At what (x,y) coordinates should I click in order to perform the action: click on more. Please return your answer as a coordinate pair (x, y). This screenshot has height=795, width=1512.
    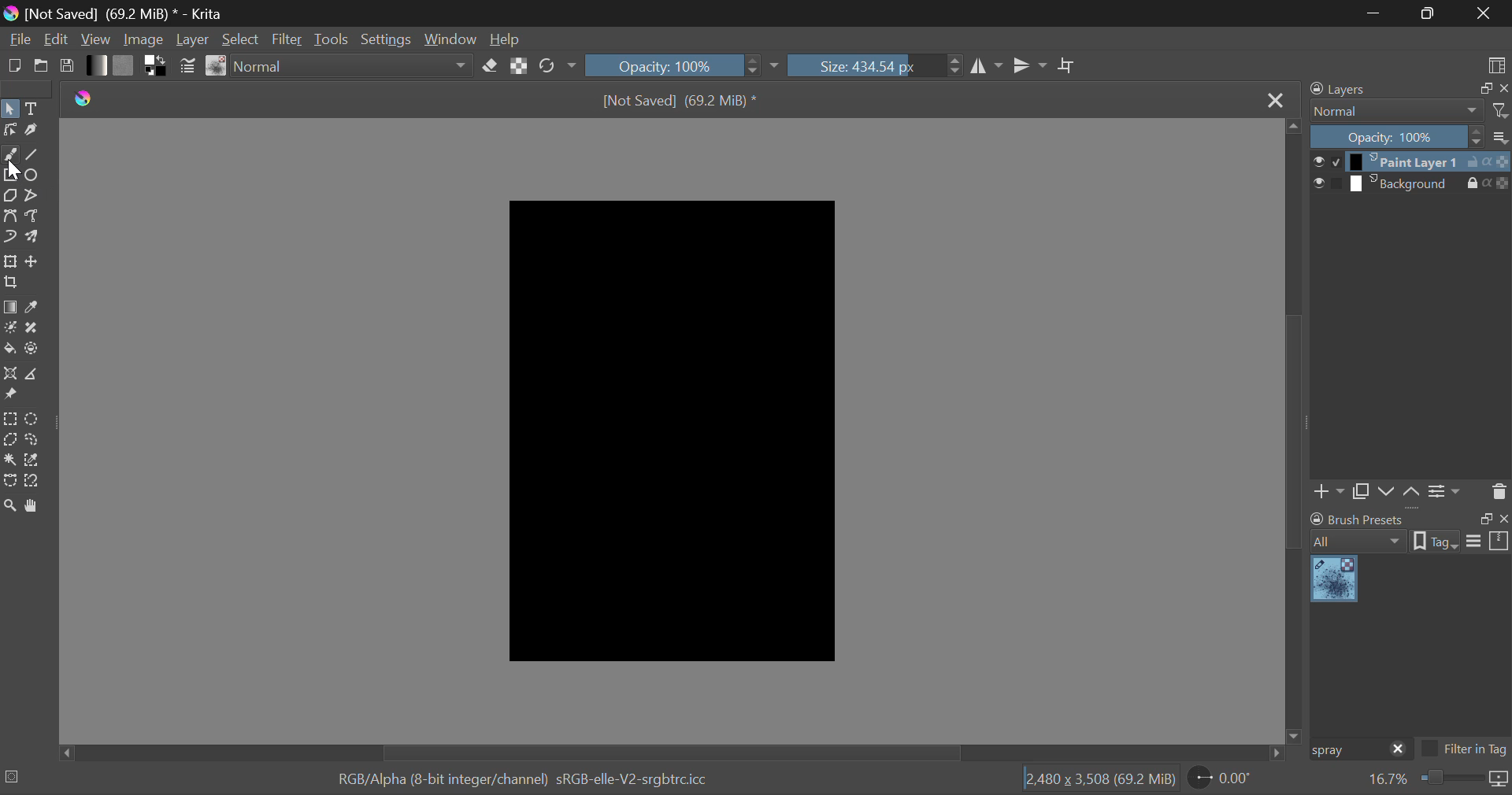
    Looking at the image, I should click on (1501, 136).